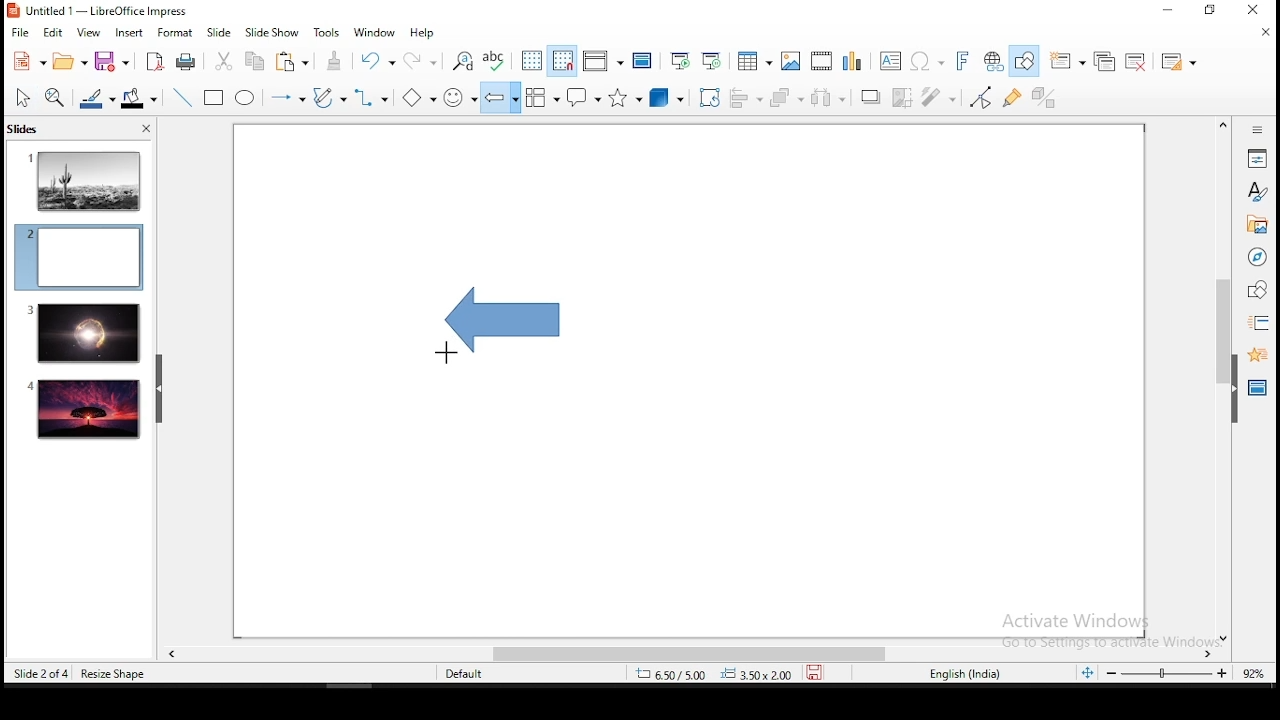 Image resolution: width=1280 pixels, height=720 pixels. I want to click on rectangle, so click(215, 99).